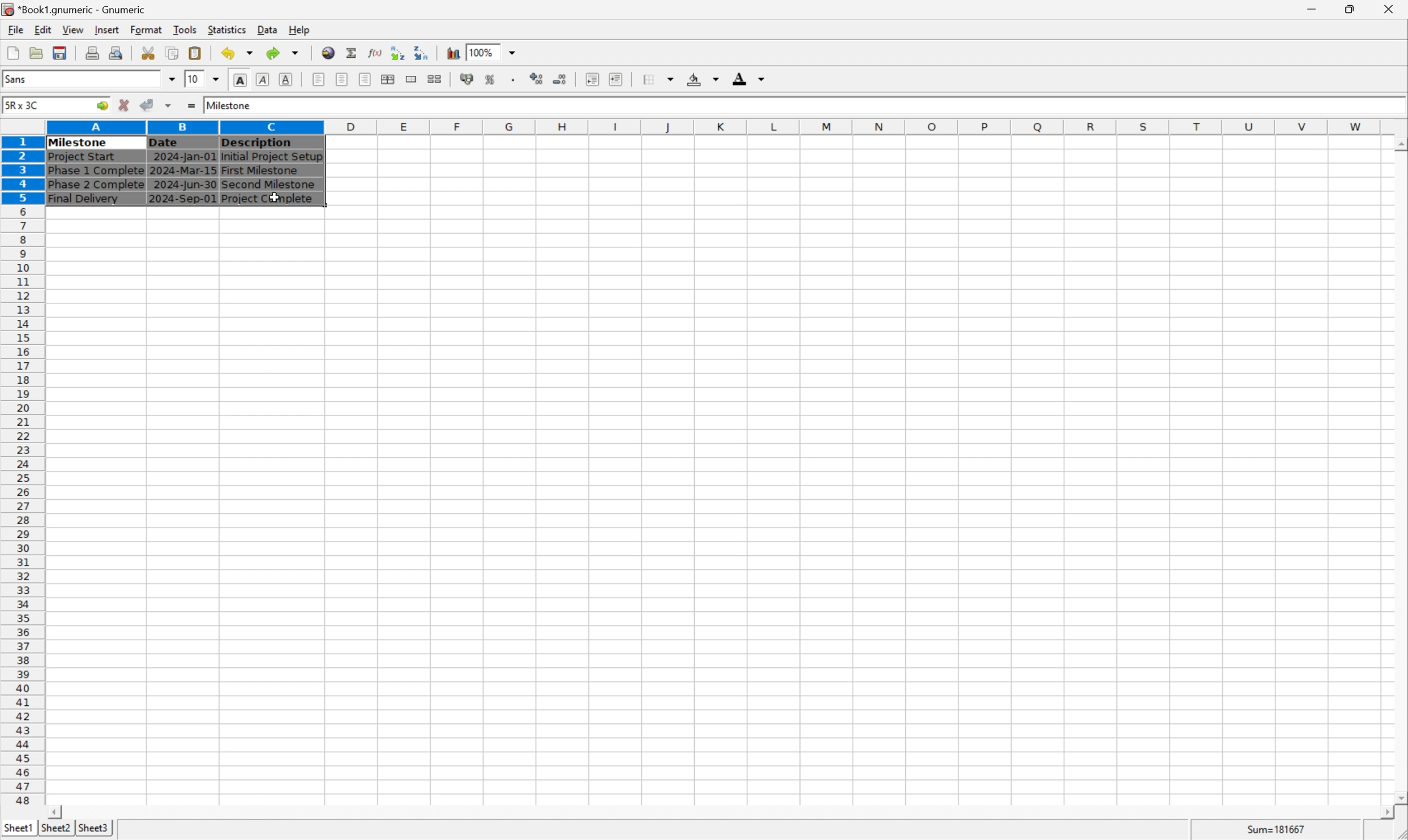 The height and width of the screenshot is (840, 1408). Describe the element at coordinates (619, 79) in the screenshot. I see `increase indent` at that location.